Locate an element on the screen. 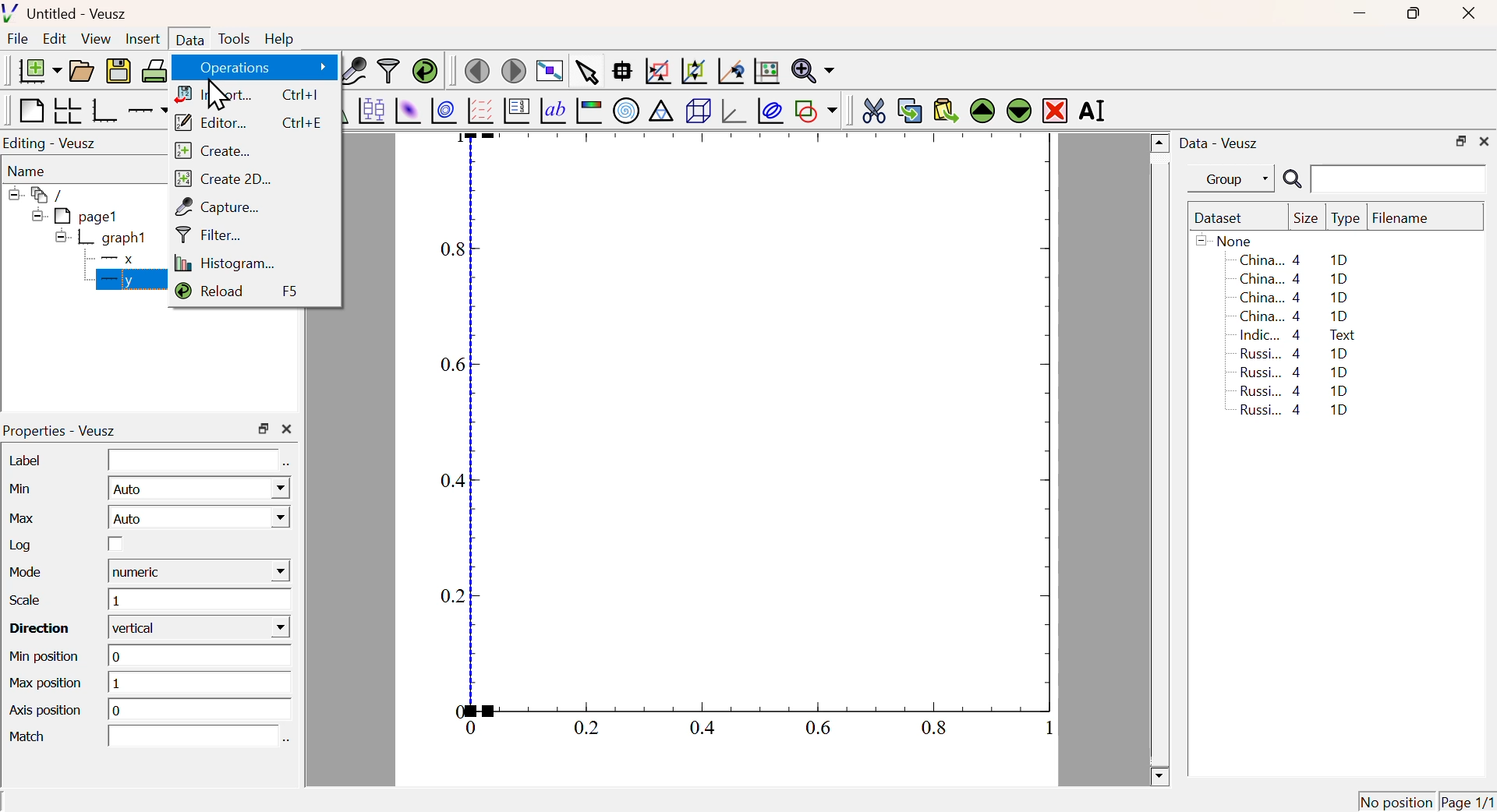 The width and height of the screenshot is (1497, 812). Reload is located at coordinates (211, 290).